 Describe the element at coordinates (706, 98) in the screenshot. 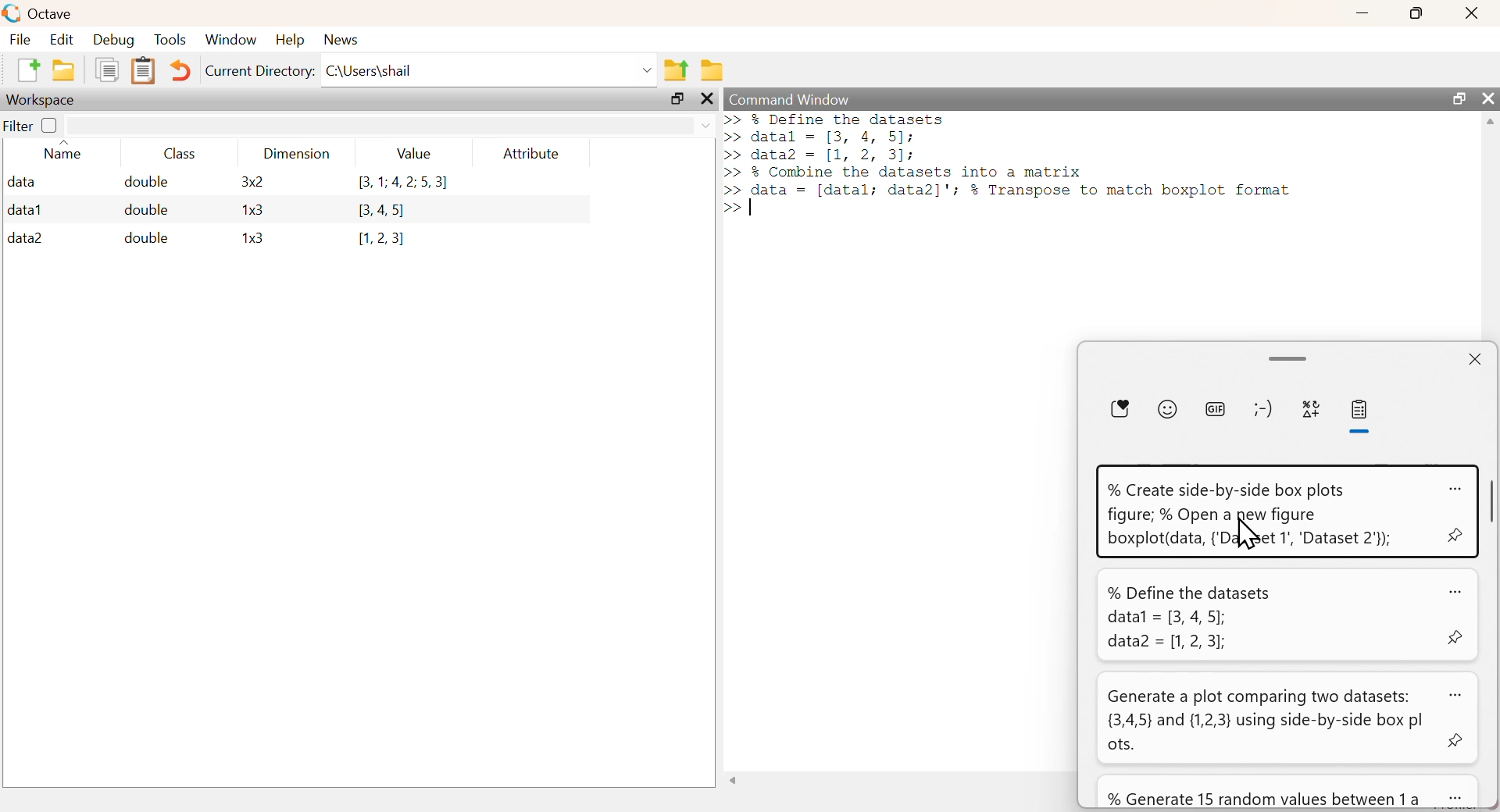

I see `close` at that location.